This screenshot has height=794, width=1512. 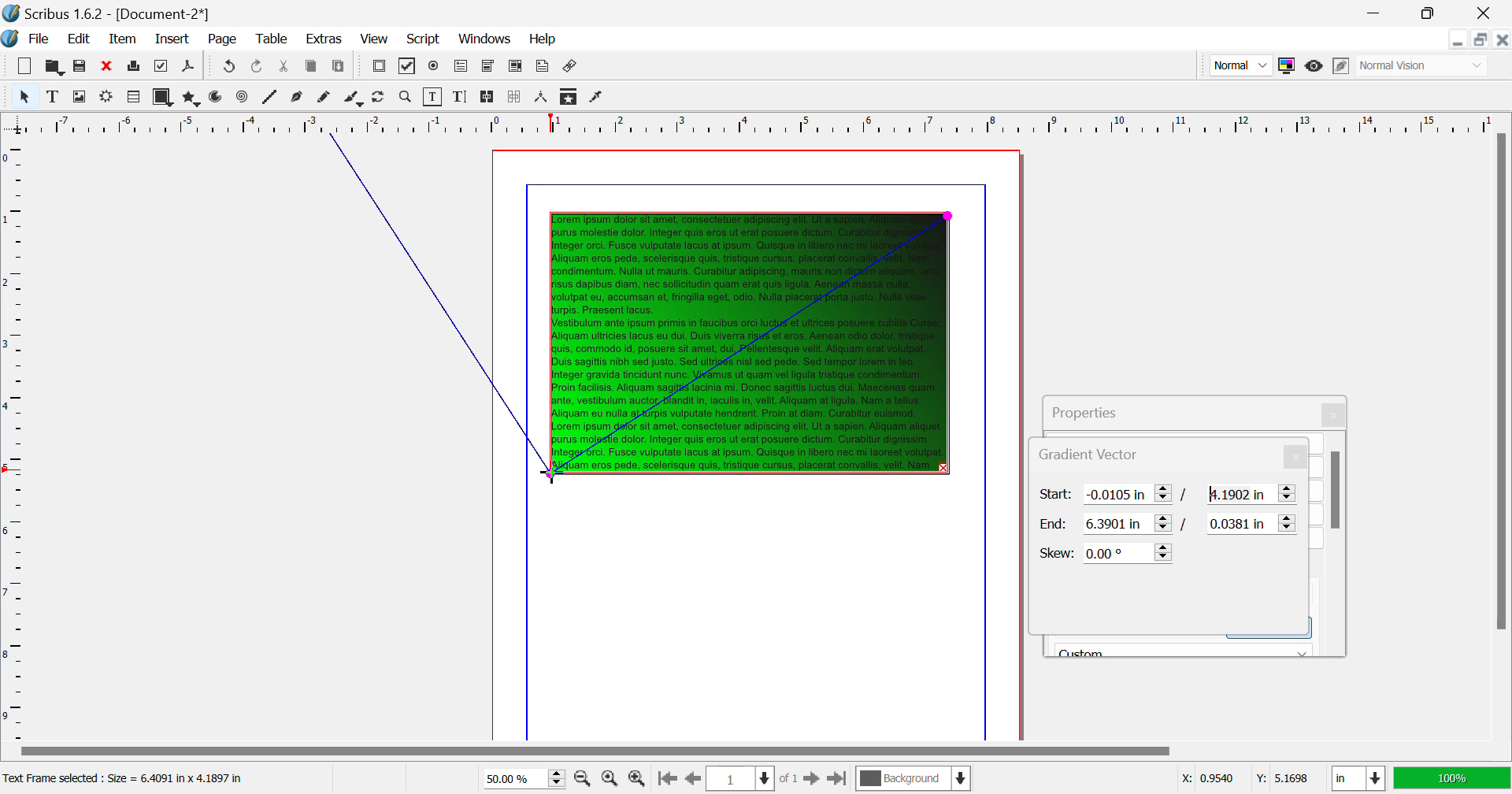 I want to click on Edit in Preview Mode, so click(x=1343, y=66).